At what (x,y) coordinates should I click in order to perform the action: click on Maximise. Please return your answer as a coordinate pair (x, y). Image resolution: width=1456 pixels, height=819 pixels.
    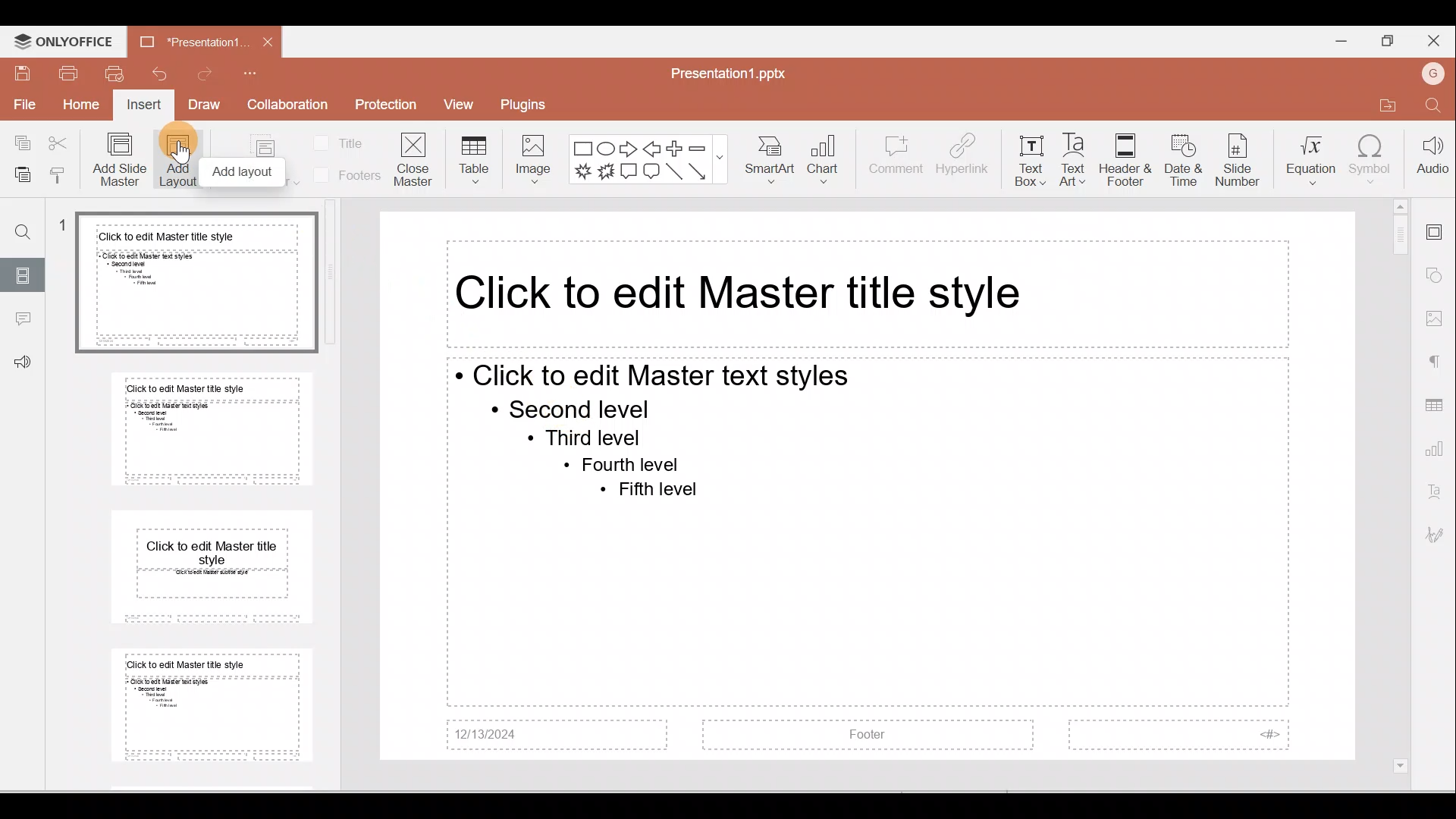
    Looking at the image, I should click on (1384, 41).